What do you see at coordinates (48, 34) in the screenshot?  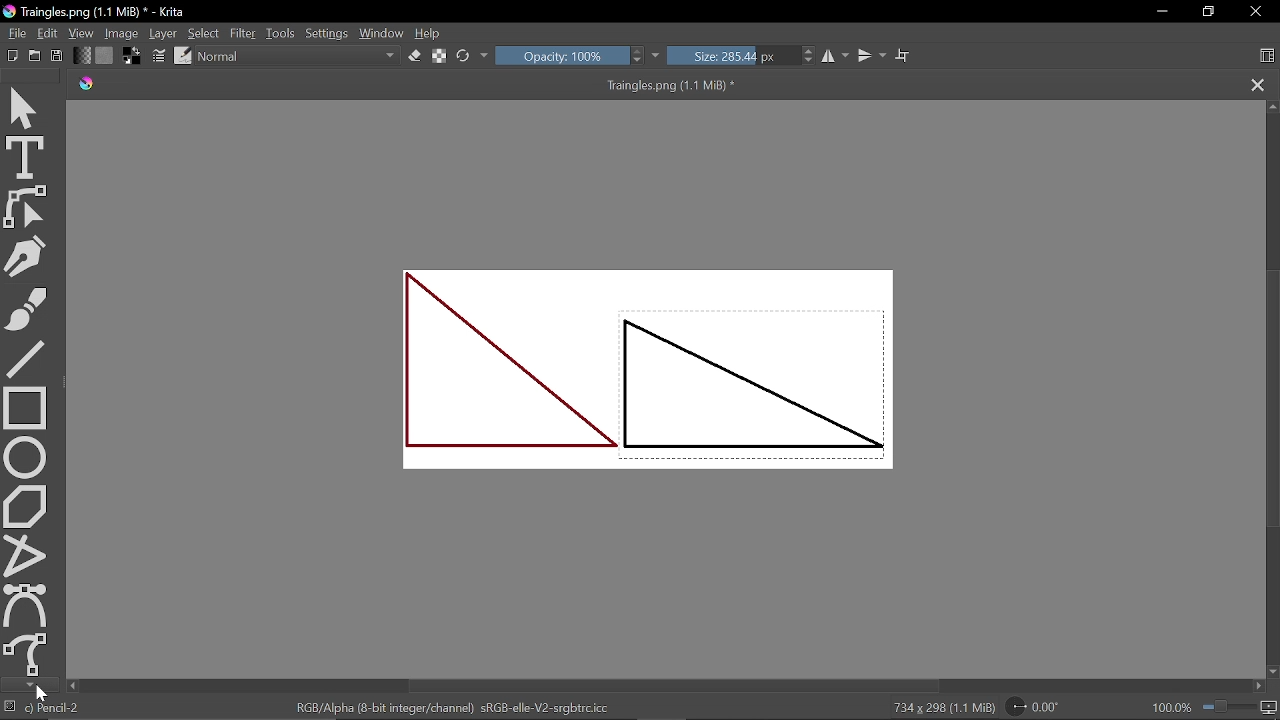 I see `Edit` at bounding box center [48, 34].